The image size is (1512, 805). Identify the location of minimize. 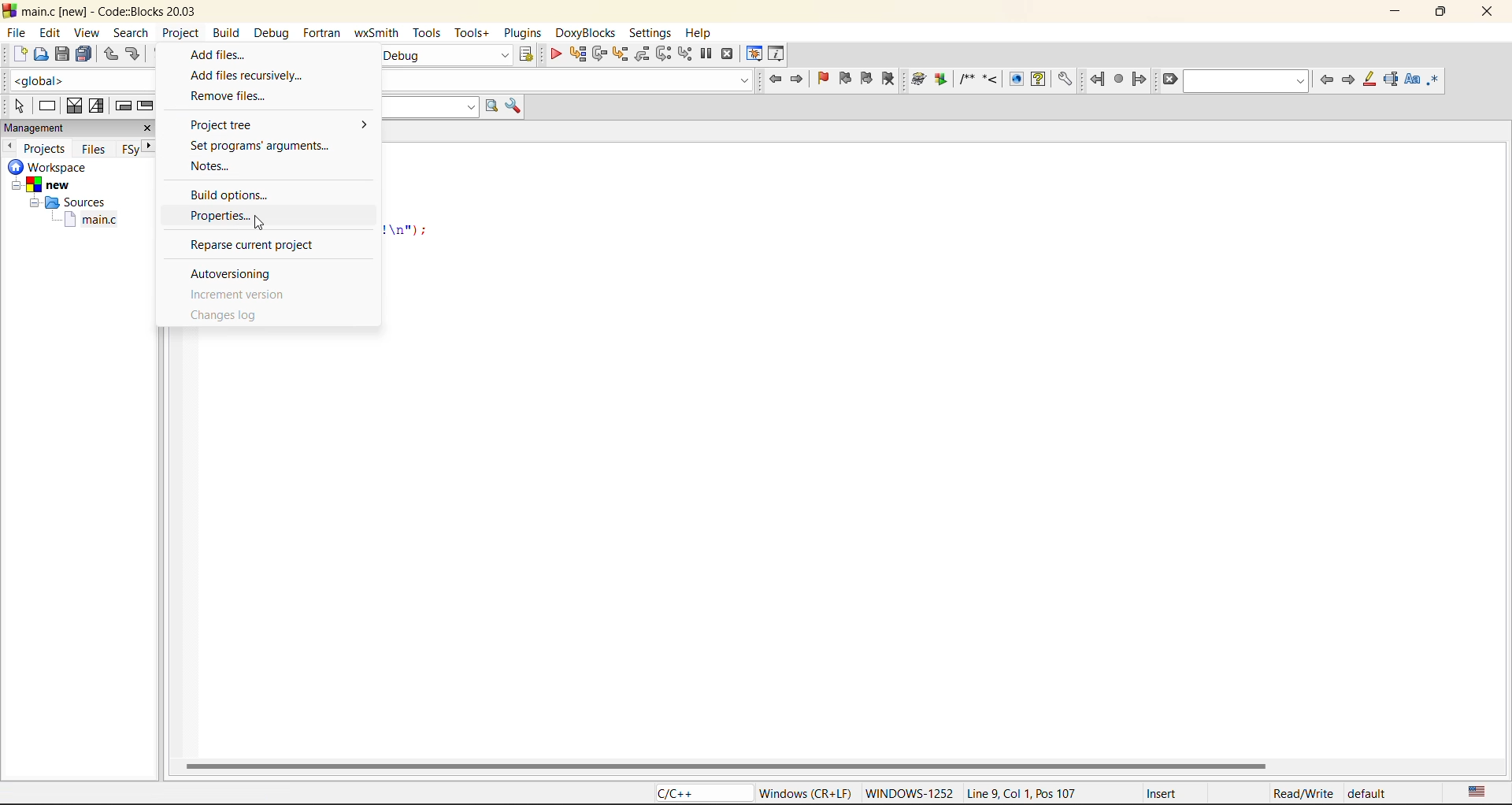
(1401, 13).